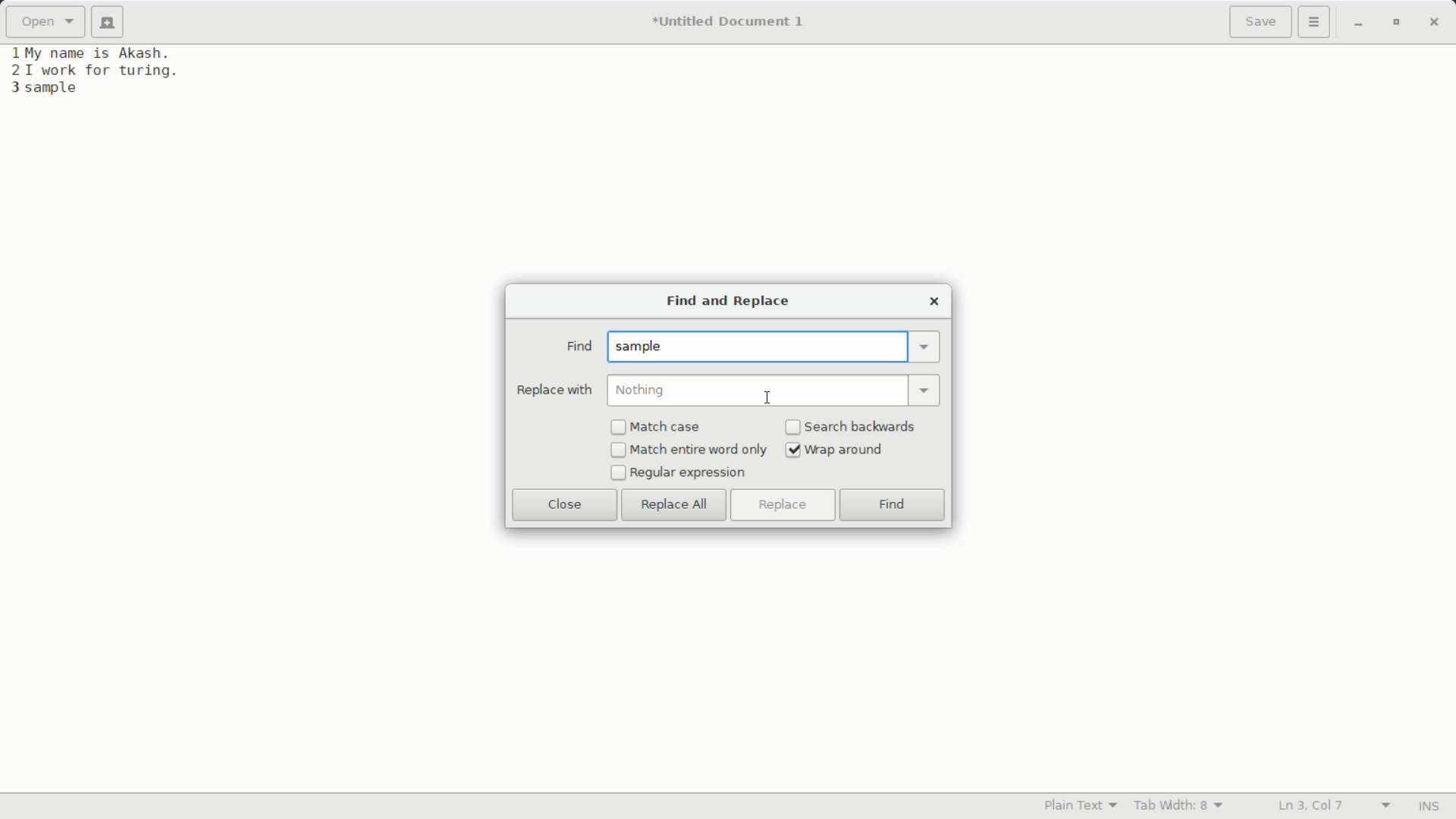 The width and height of the screenshot is (1456, 819). Describe the element at coordinates (757, 391) in the screenshot. I see `replace with bar` at that location.